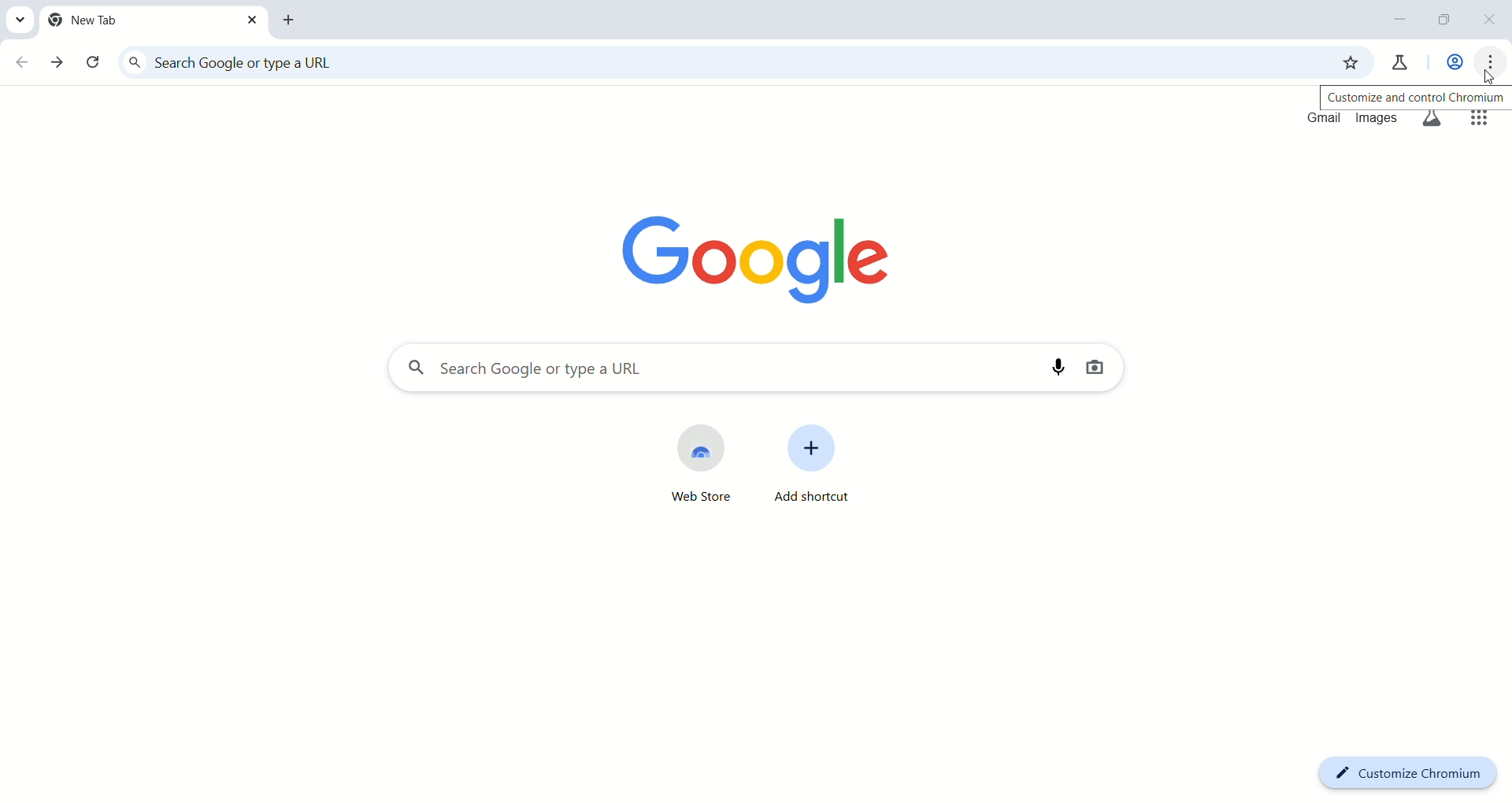 This screenshot has height=803, width=1512. What do you see at coordinates (291, 20) in the screenshot?
I see `new tab` at bounding box center [291, 20].